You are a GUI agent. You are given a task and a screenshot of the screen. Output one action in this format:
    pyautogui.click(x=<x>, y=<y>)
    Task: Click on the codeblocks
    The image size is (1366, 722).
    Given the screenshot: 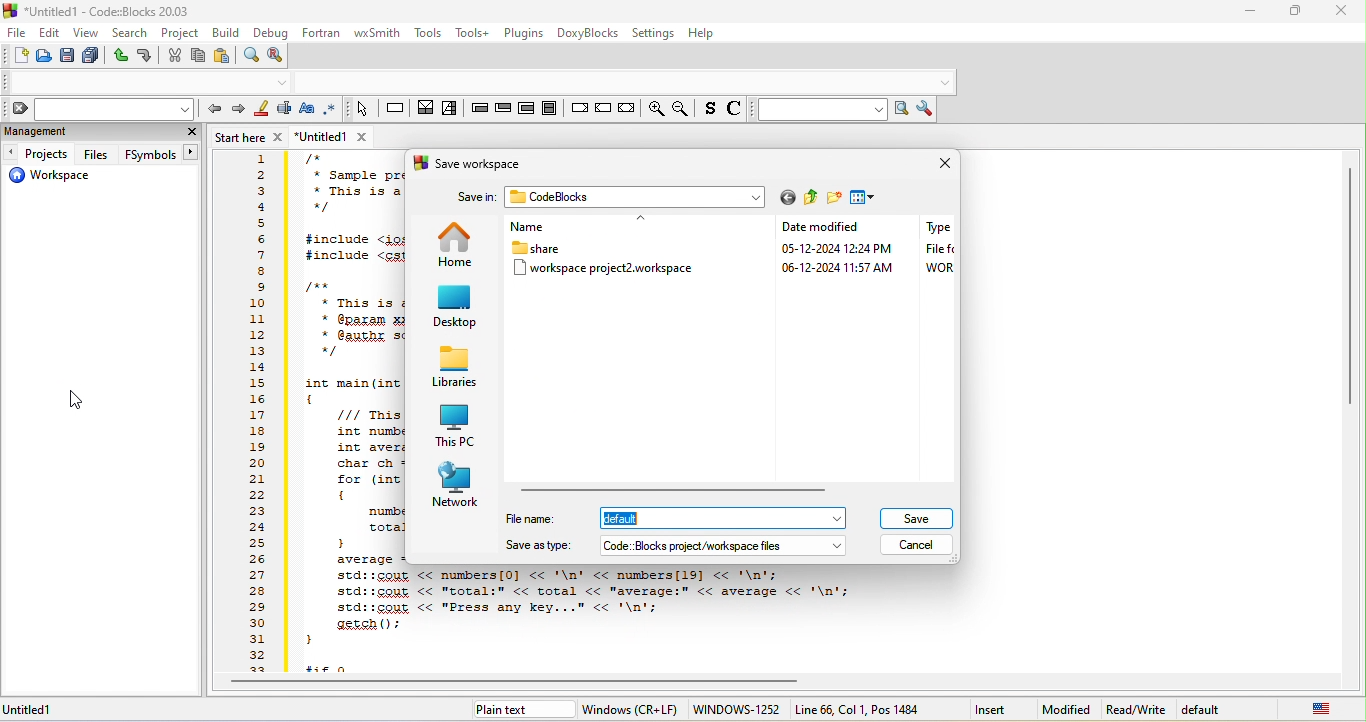 What is the action you would take?
    pyautogui.click(x=625, y=196)
    